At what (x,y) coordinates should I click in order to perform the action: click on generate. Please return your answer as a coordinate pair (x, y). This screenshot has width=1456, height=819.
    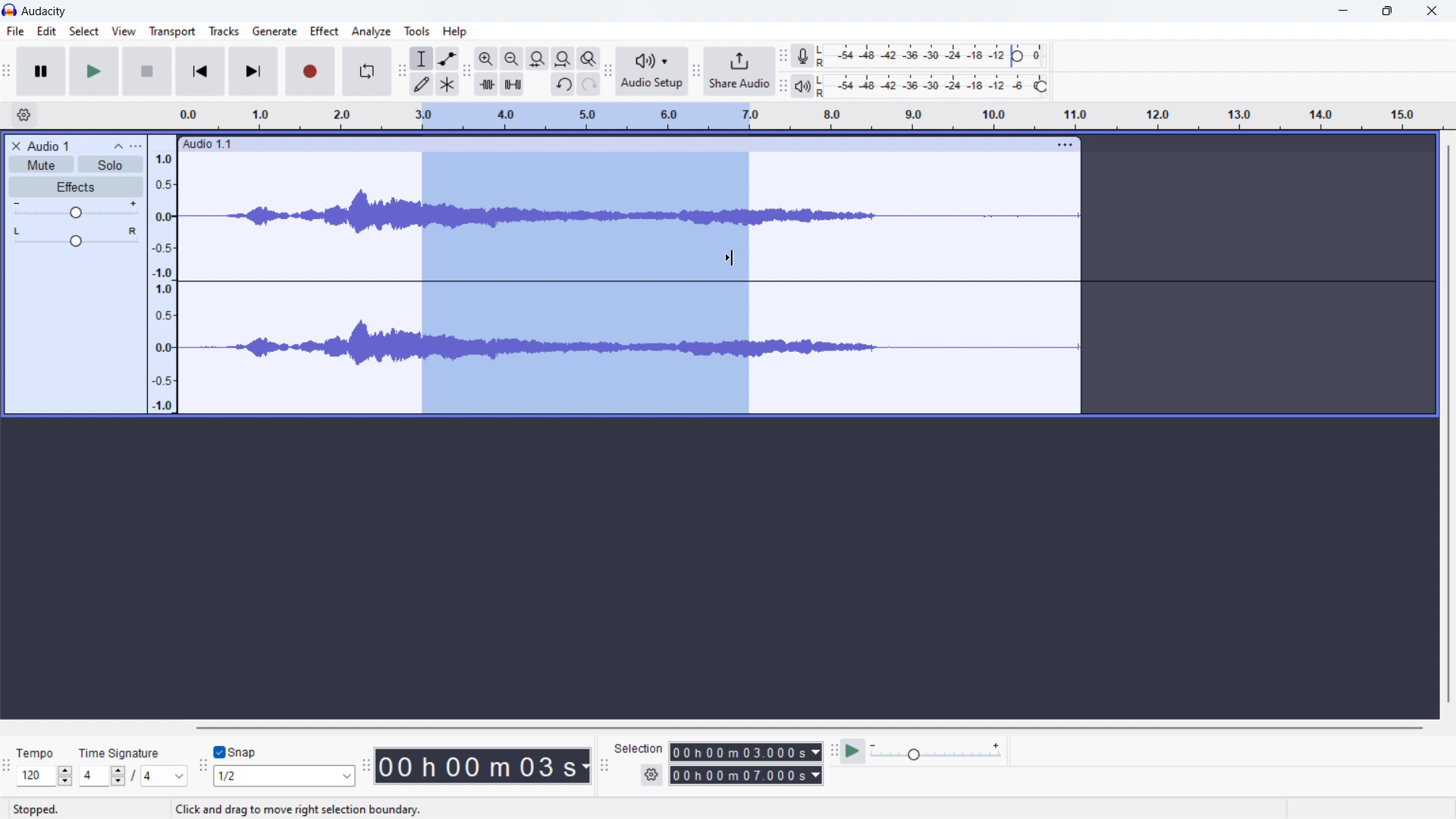
    Looking at the image, I should click on (275, 32).